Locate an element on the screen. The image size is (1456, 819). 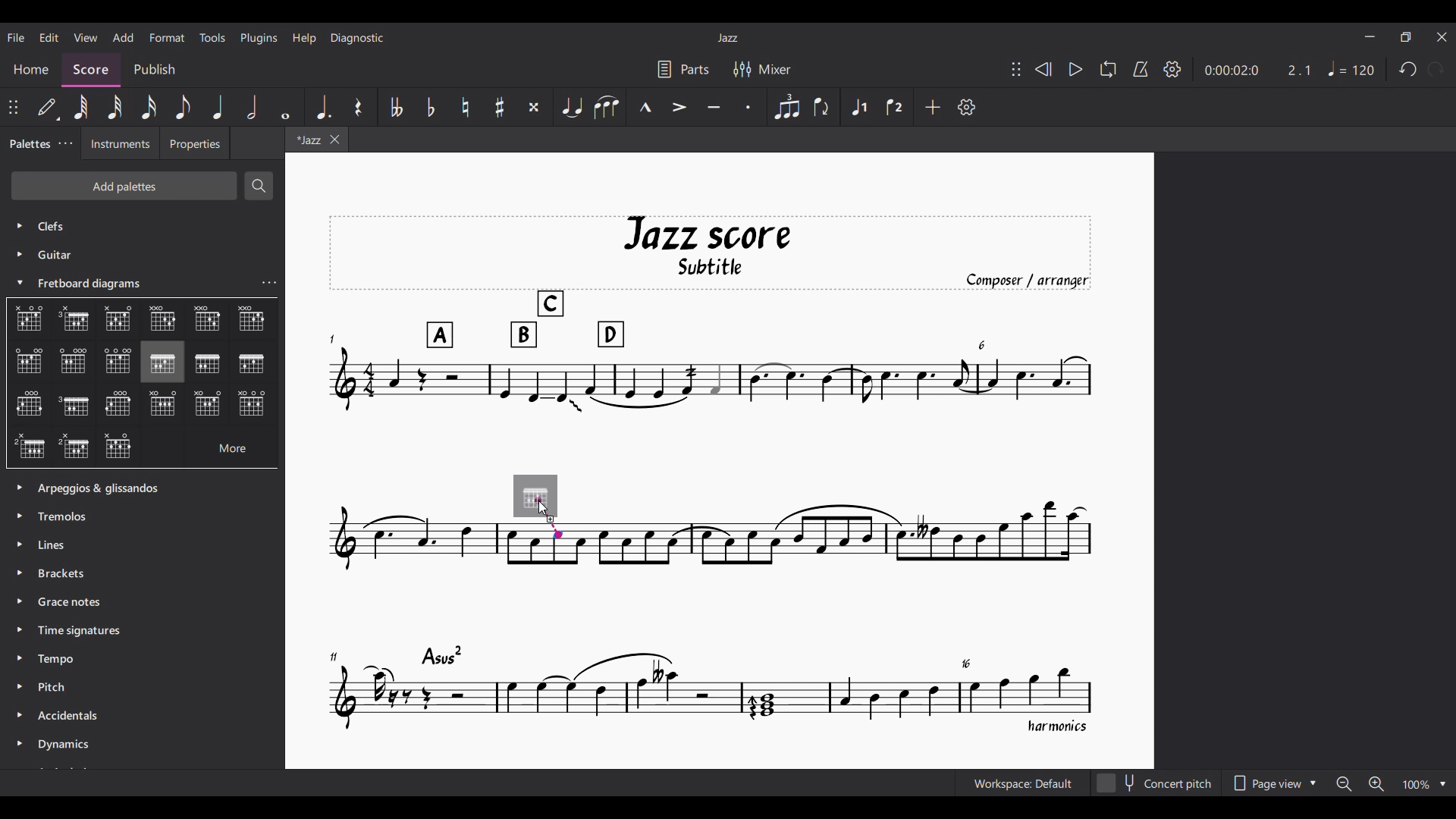
Palette settings is located at coordinates (66, 143).